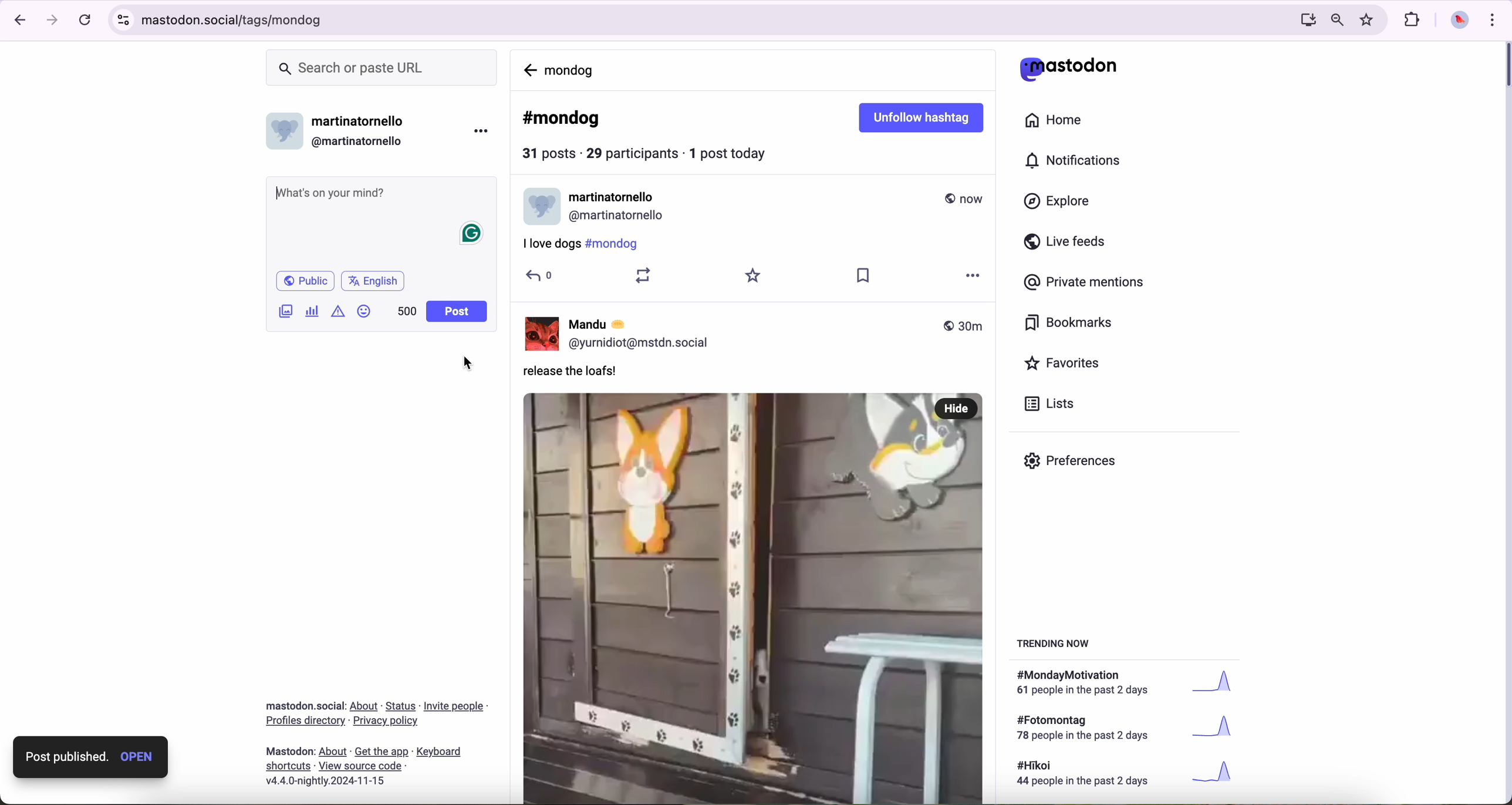  What do you see at coordinates (455, 708) in the screenshot?
I see `link` at bounding box center [455, 708].